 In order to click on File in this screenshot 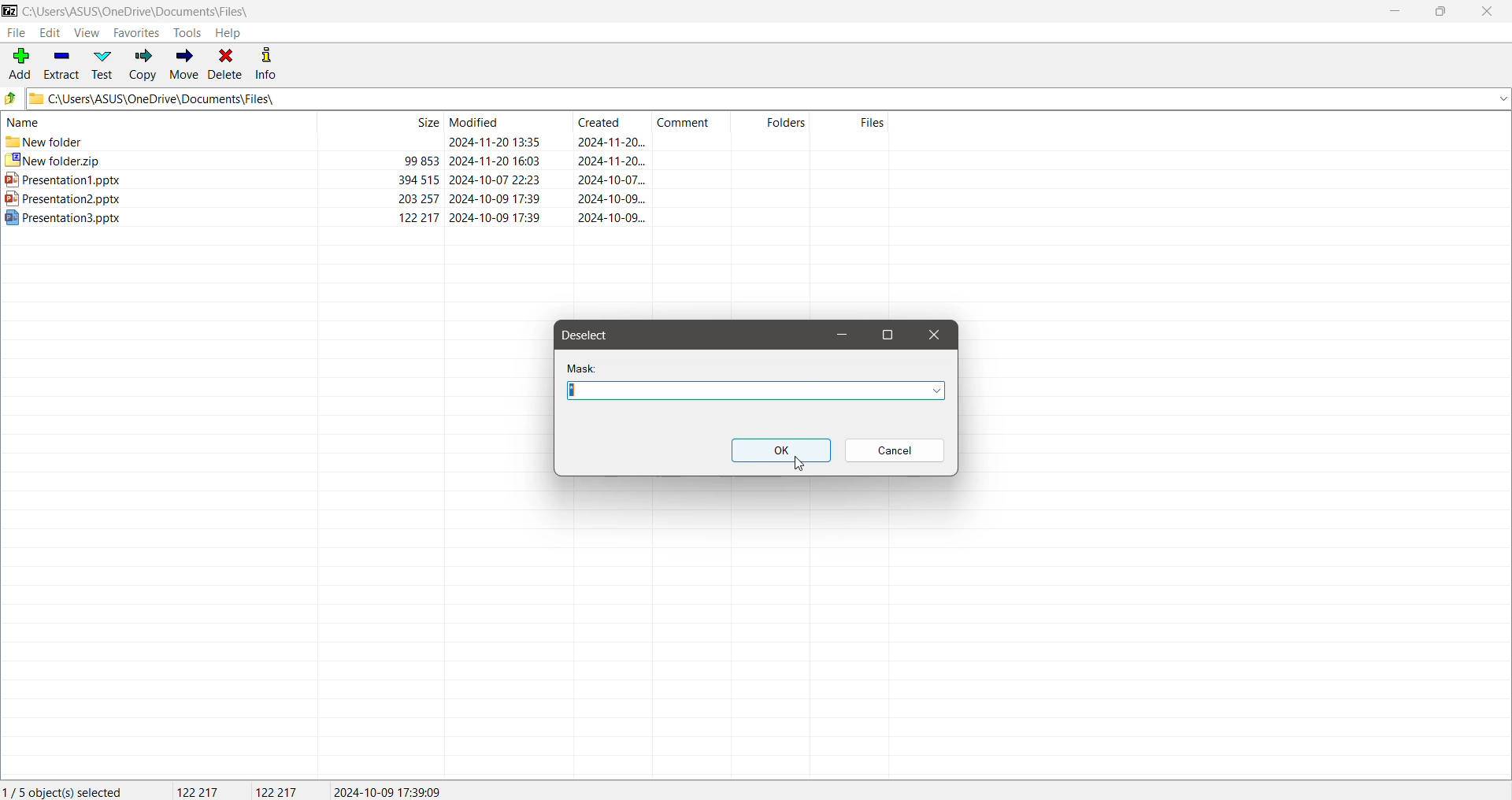, I will do `click(18, 33)`.